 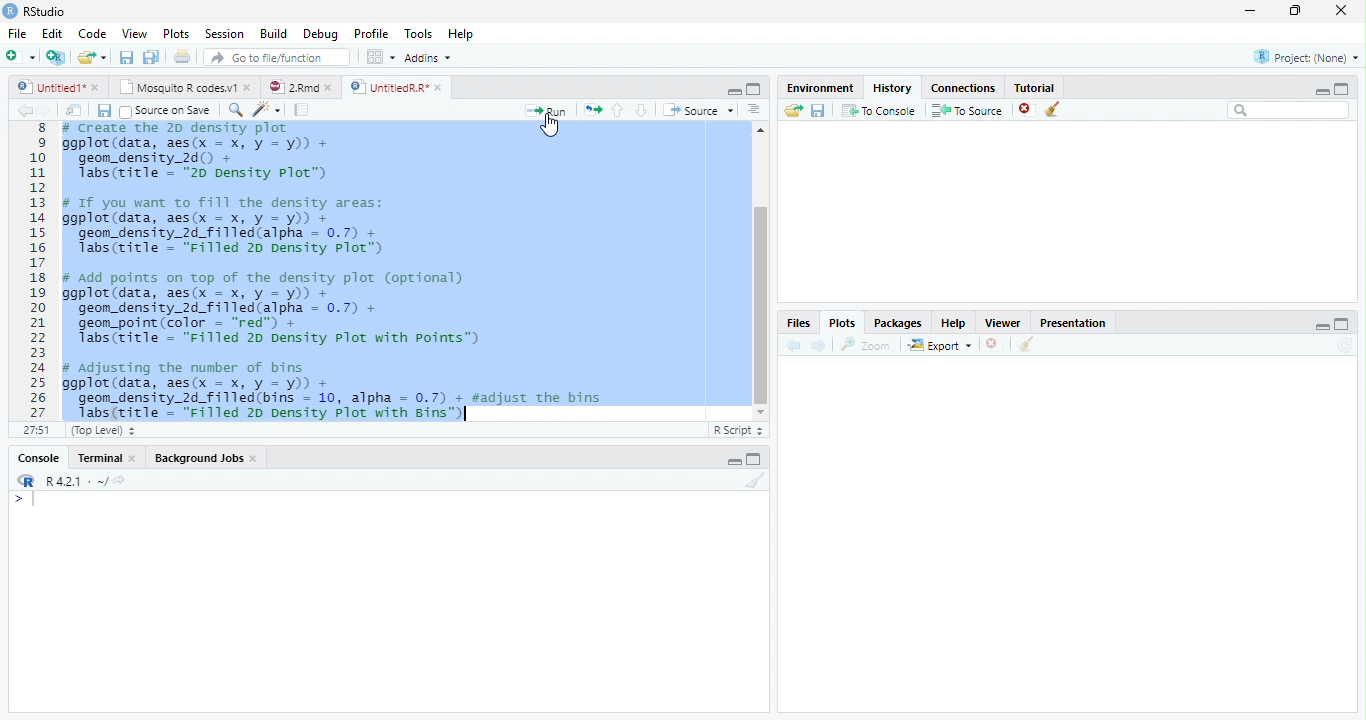 What do you see at coordinates (38, 459) in the screenshot?
I see `Console` at bounding box center [38, 459].